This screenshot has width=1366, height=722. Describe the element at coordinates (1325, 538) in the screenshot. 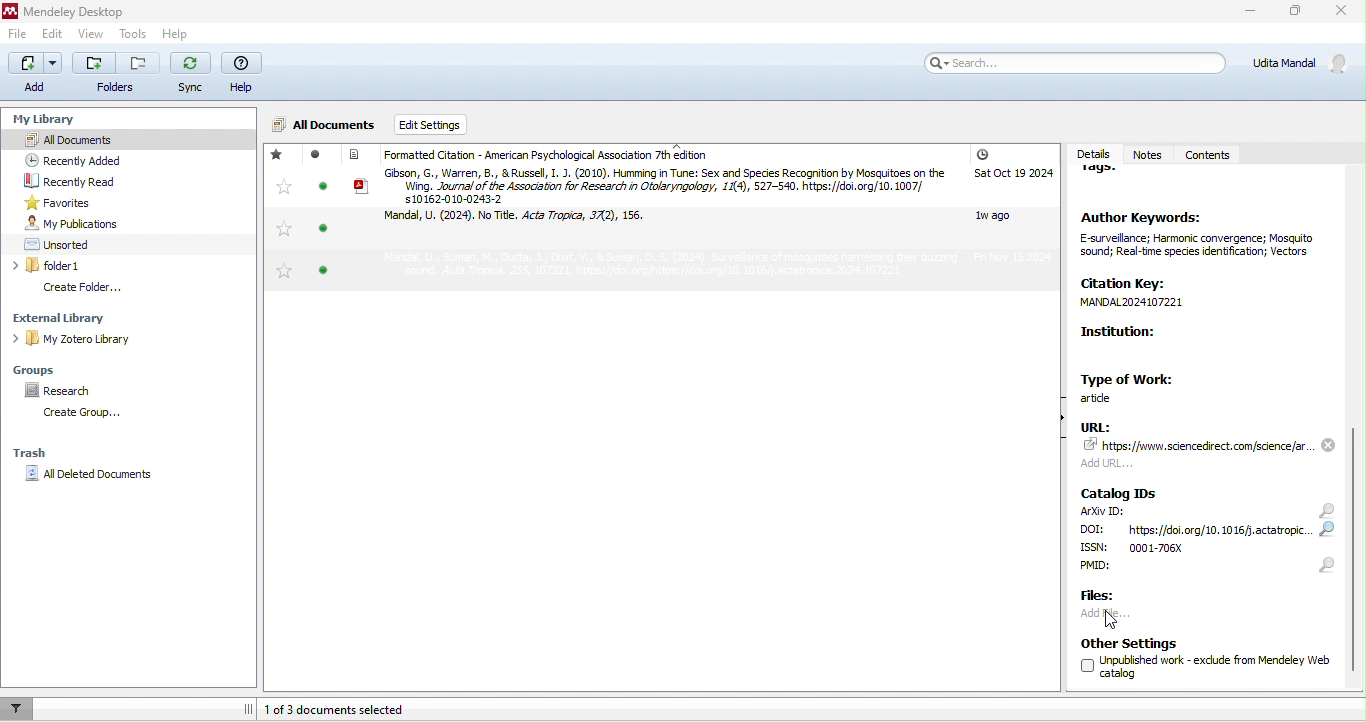

I see `search` at that location.